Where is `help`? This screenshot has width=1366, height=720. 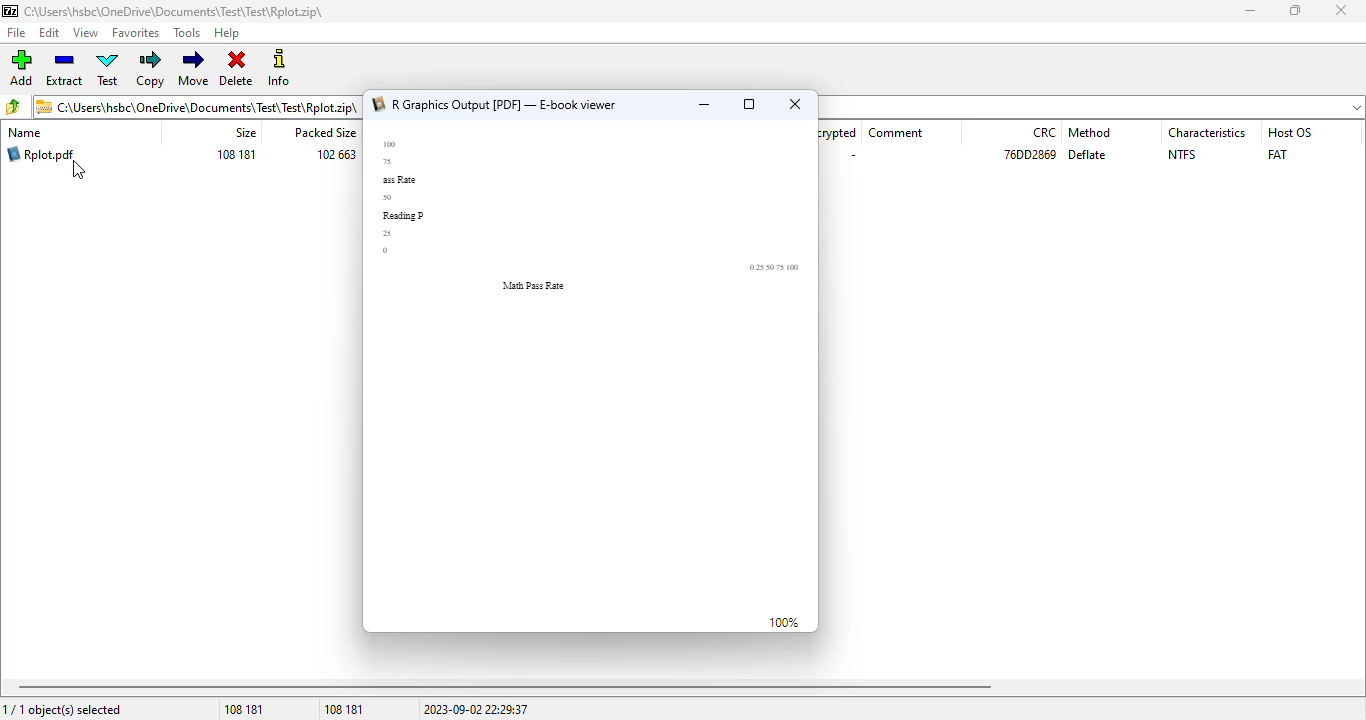 help is located at coordinates (227, 33).